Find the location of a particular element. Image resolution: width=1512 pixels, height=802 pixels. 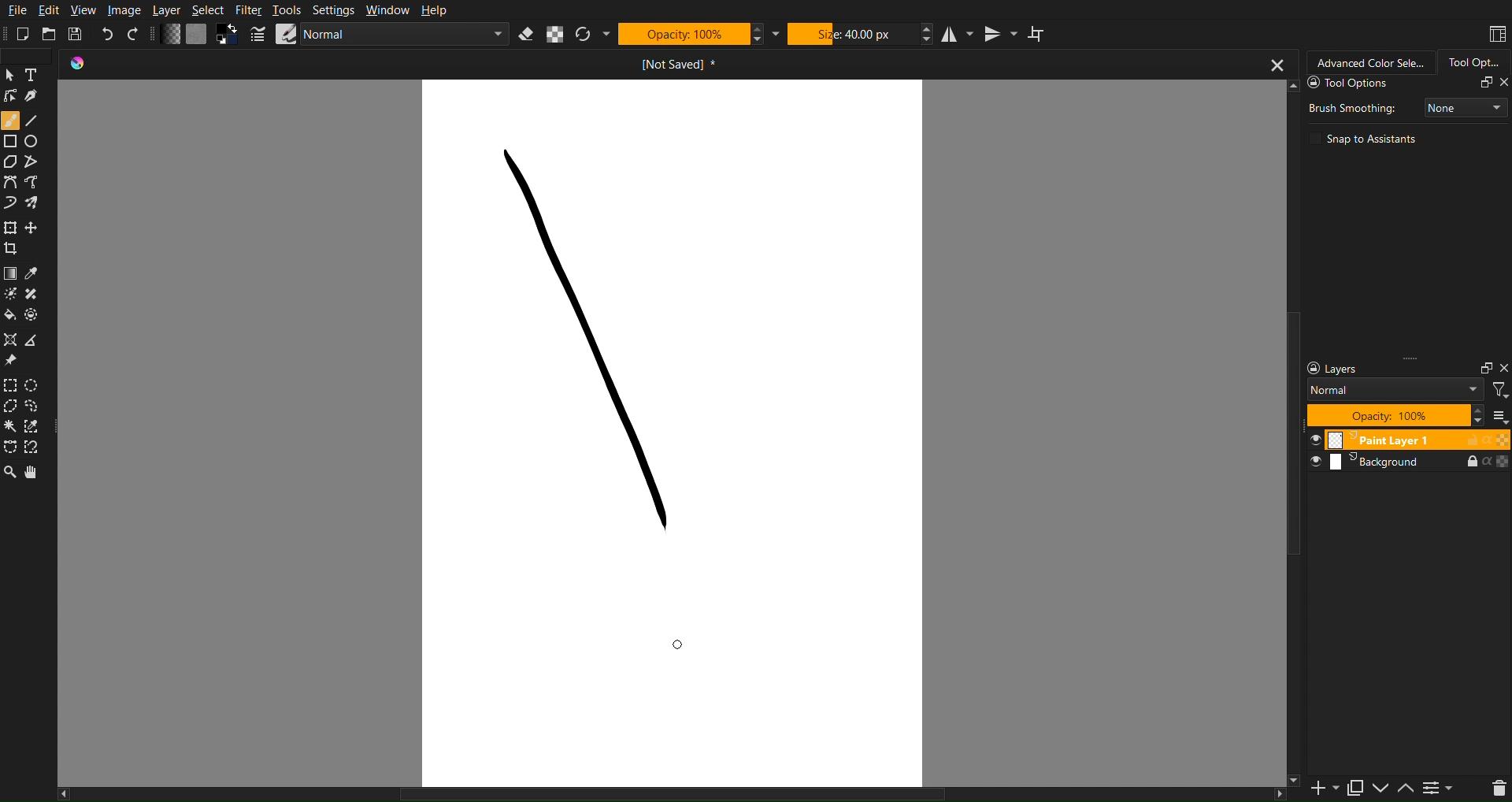

Blemish Fix is located at coordinates (38, 293).